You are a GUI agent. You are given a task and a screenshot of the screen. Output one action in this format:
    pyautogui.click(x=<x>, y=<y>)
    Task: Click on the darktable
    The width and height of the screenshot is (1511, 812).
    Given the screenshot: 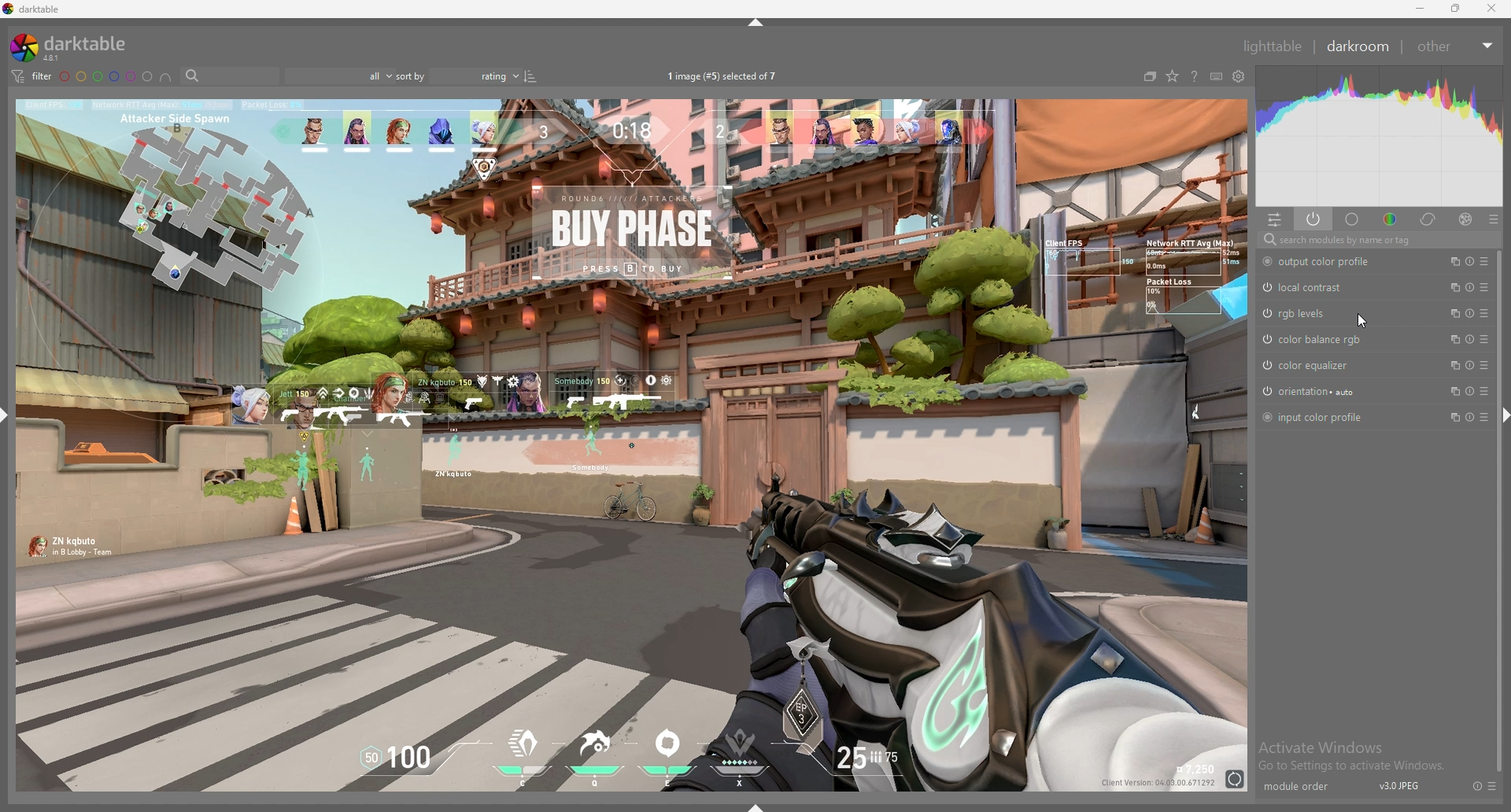 What is the action you would take?
    pyautogui.click(x=34, y=9)
    